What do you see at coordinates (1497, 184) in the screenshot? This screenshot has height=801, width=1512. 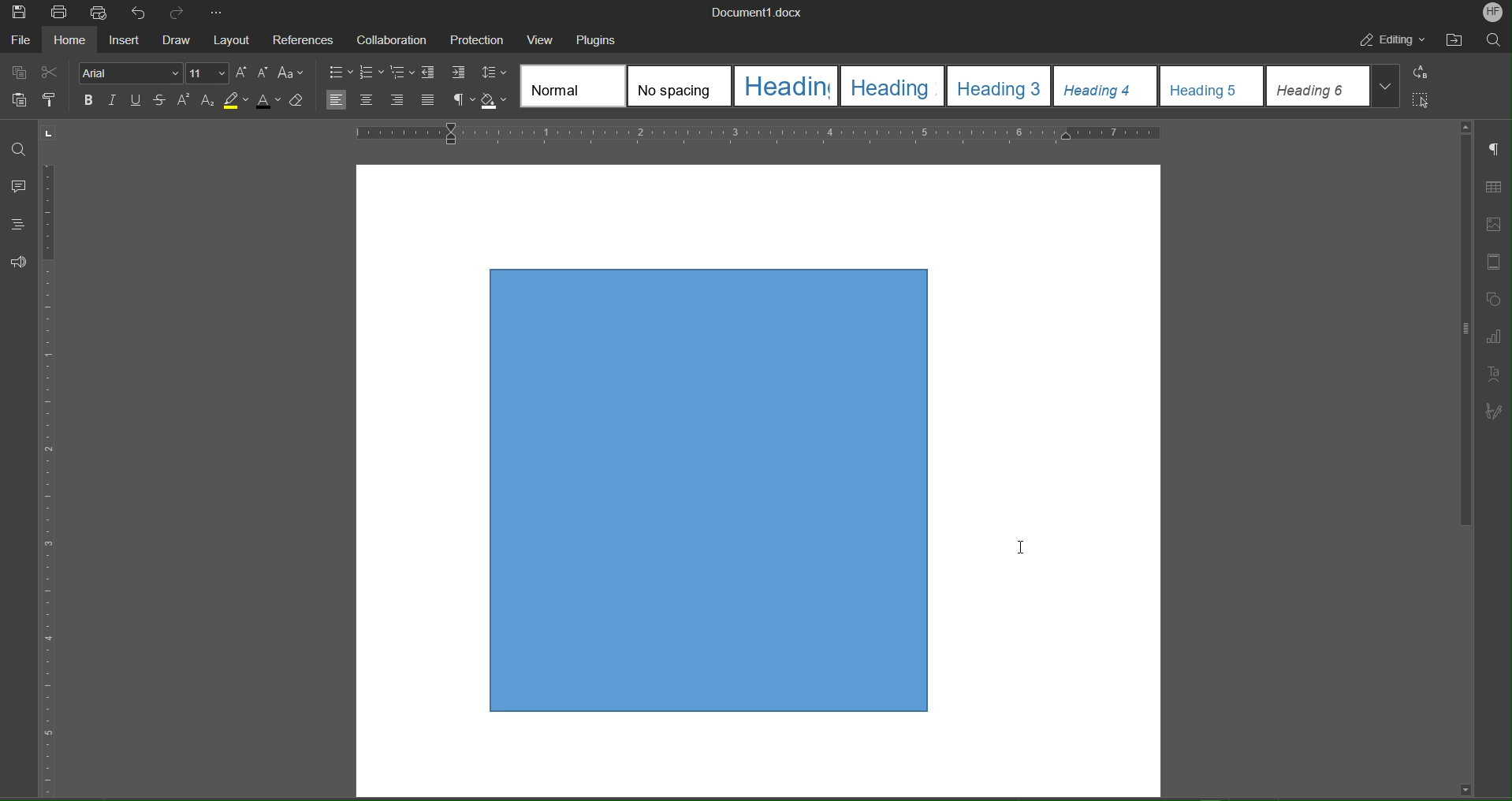 I see `Table` at bounding box center [1497, 184].